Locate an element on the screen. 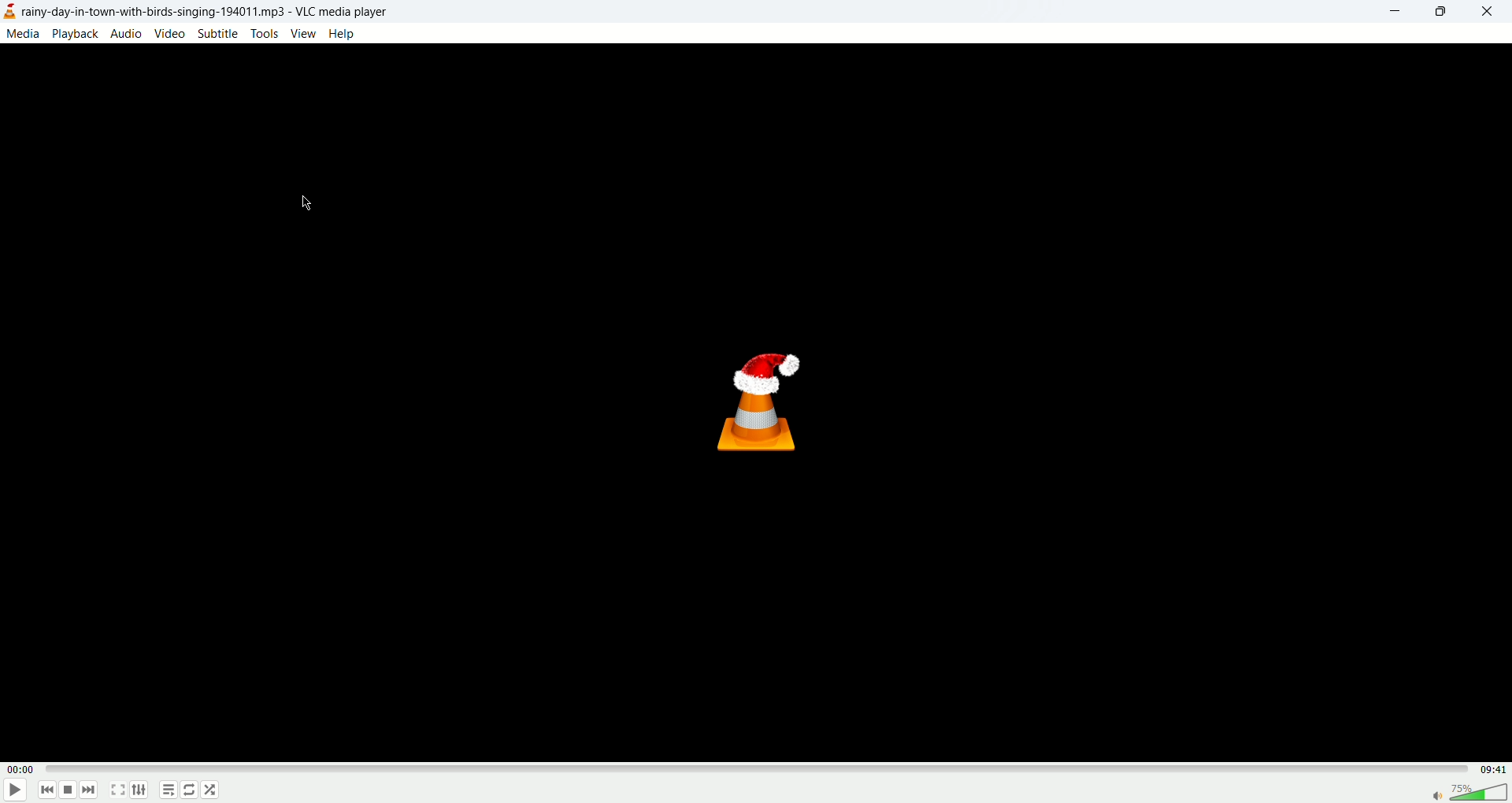 The image size is (1512, 803). title is located at coordinates (207, 13).